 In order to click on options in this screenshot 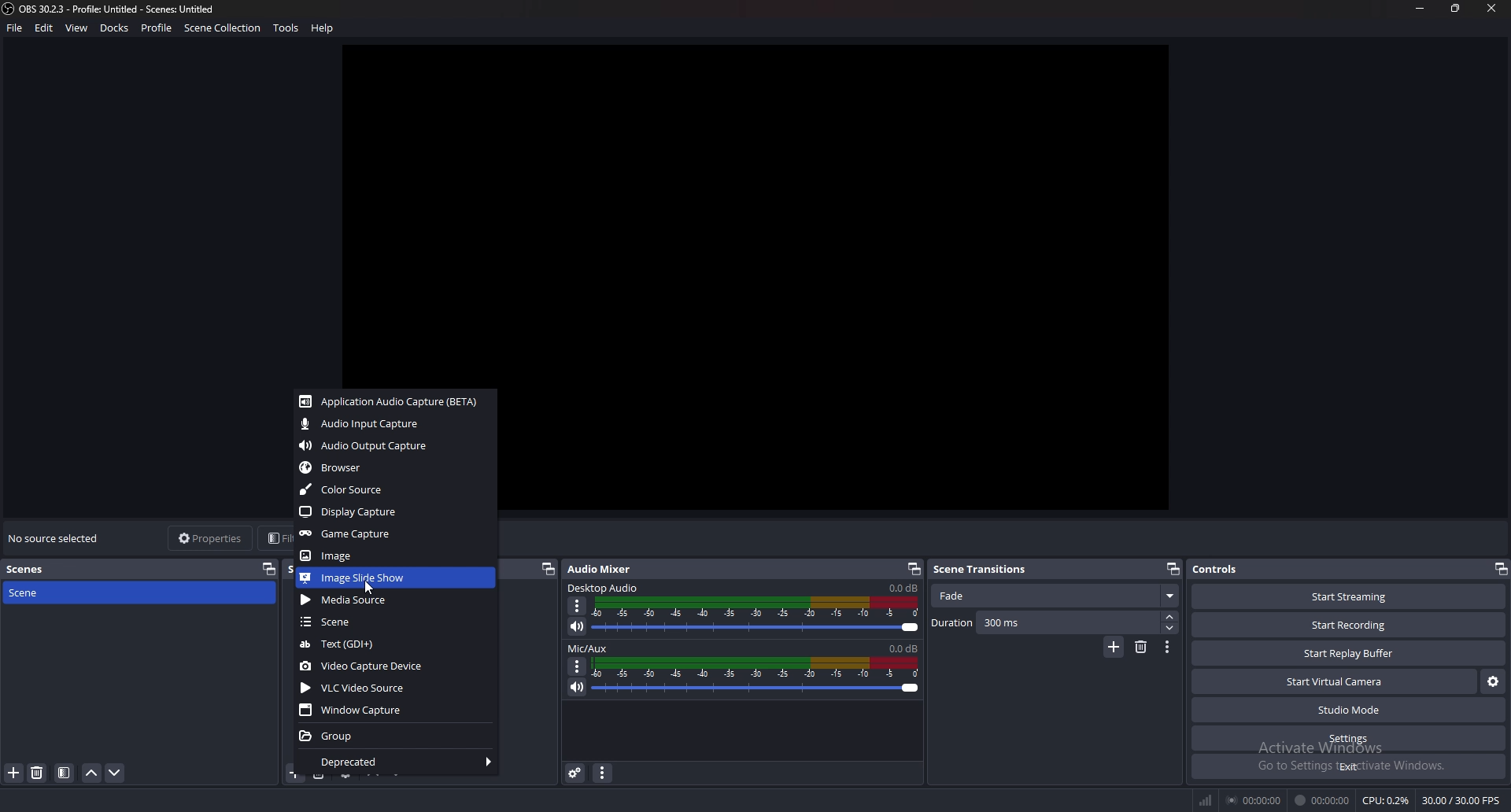, I will do `click(578, 606)`.